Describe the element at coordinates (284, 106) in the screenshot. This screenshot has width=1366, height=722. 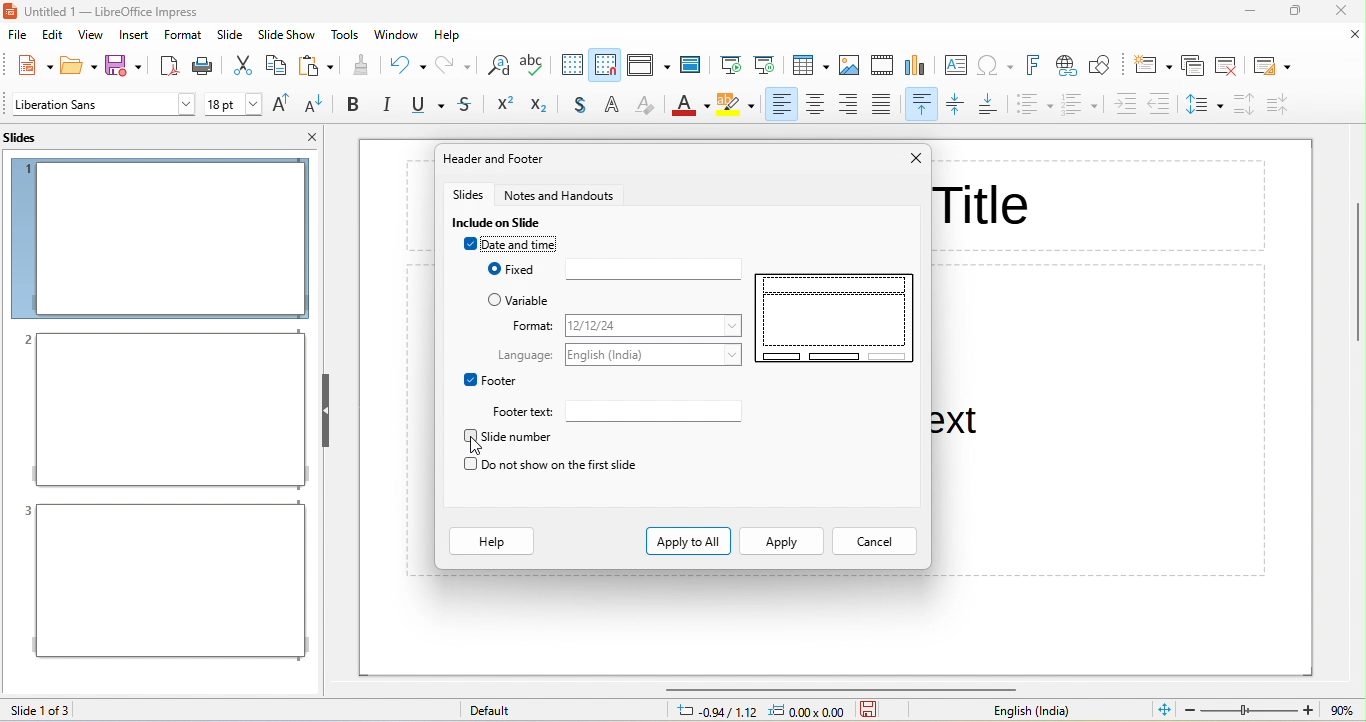
I see `increase font size` at that location.